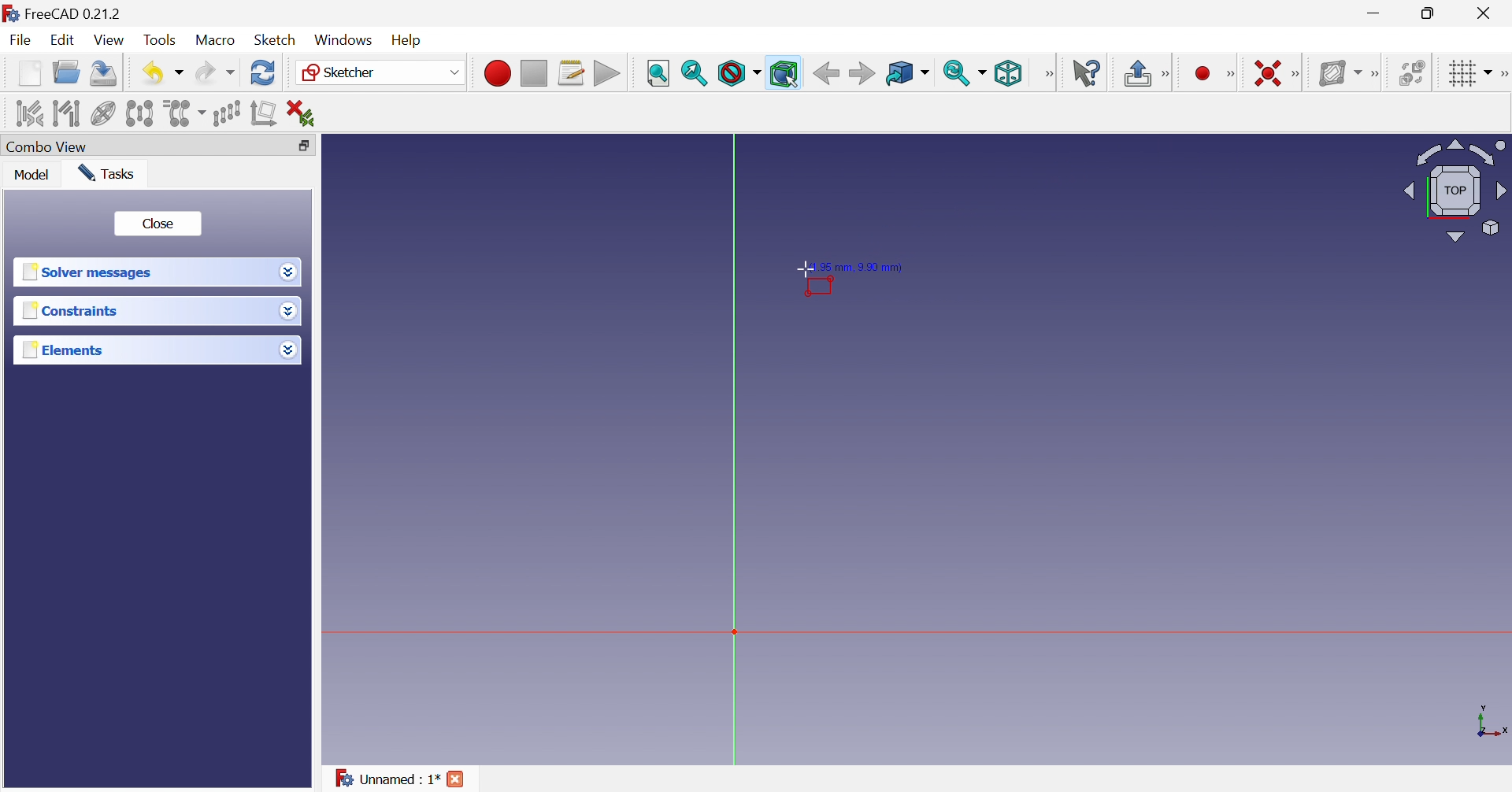 The height and width of the screenshot is (792, 1512). Describe the element at coordinates (67, 72) in the screenshot. I see `Open` at that location.